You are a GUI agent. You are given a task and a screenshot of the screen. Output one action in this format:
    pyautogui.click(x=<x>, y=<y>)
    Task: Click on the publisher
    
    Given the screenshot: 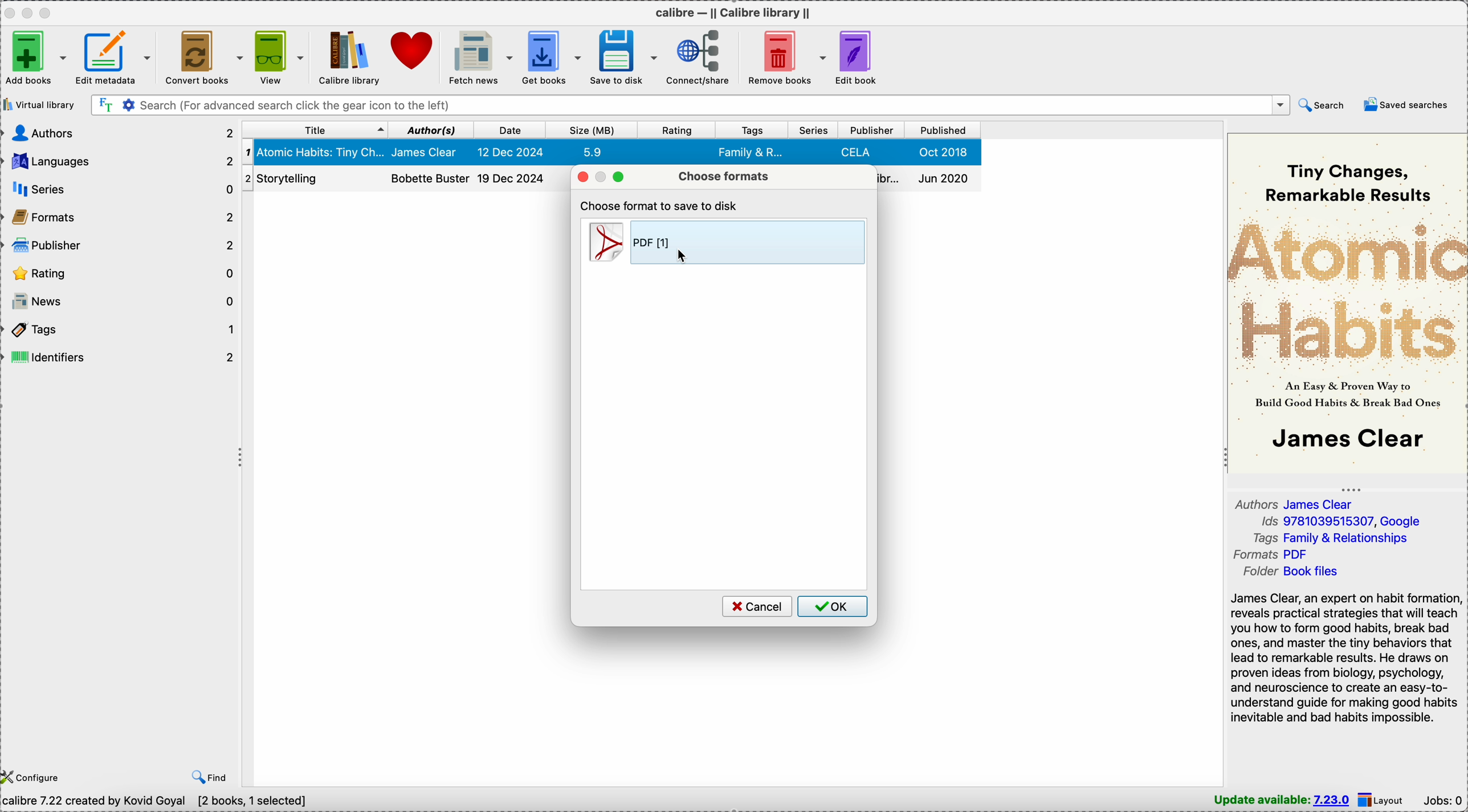 What is the action you would take?
    pyautogui.click(x=122, y=246)
    